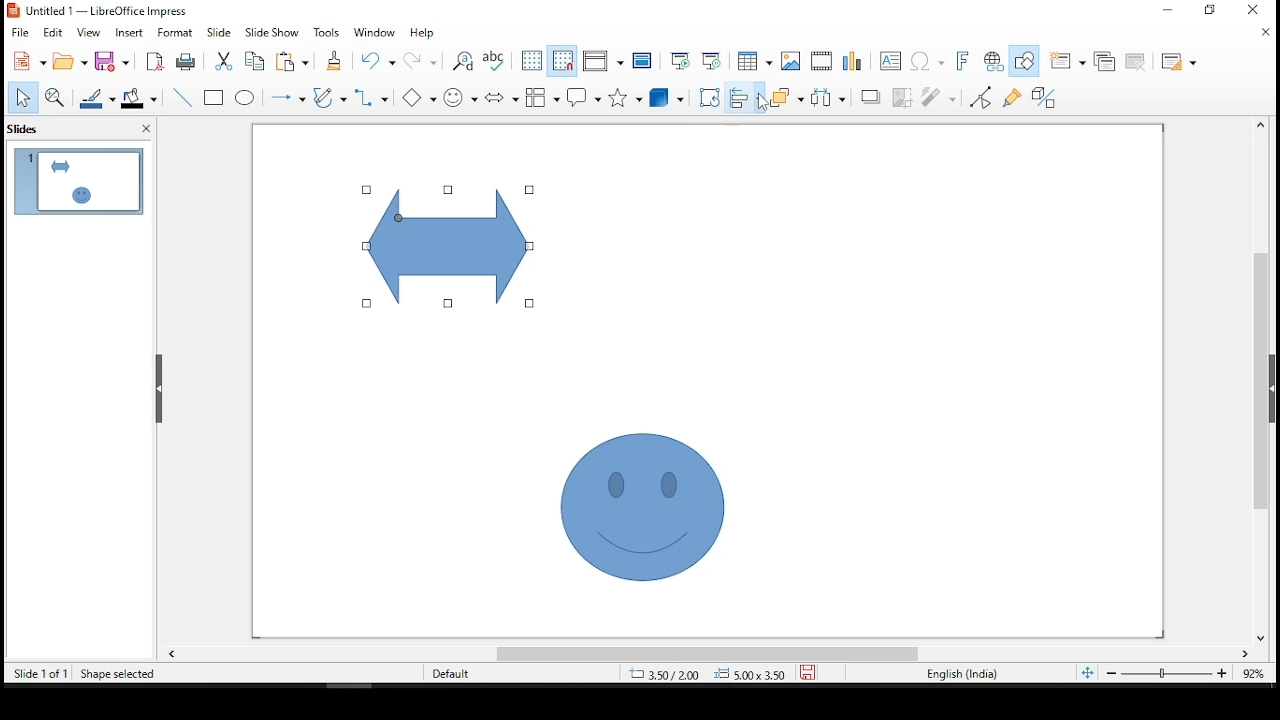  What do you see at coordinates (377, 33) in the screenshot?
I see `window` at bounding box center [377, 33].